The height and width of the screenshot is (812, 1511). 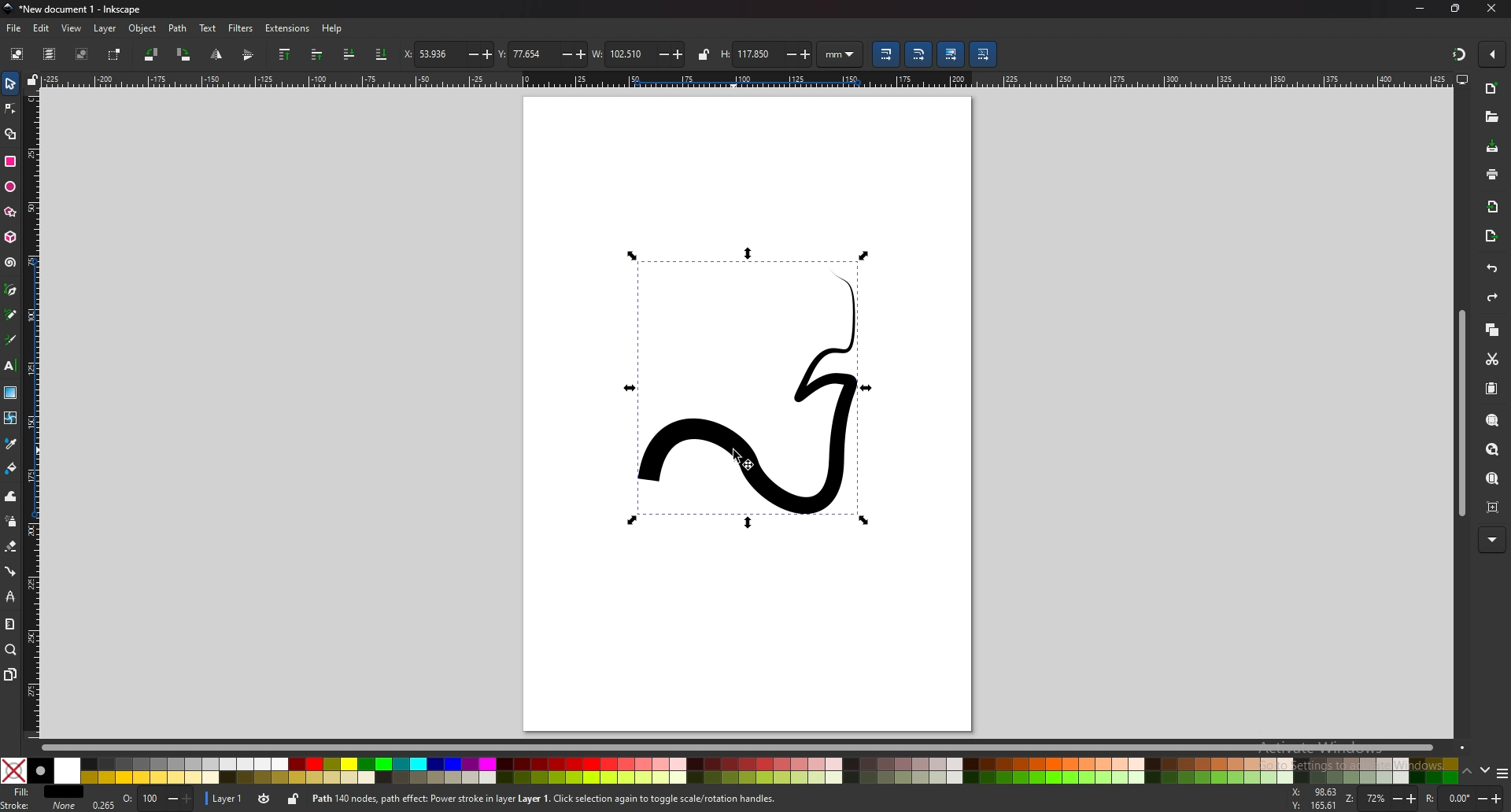 What do you see at coordinates (11, 443) in the screenshot?
I see `dropper` at bounding box center [11, 443].